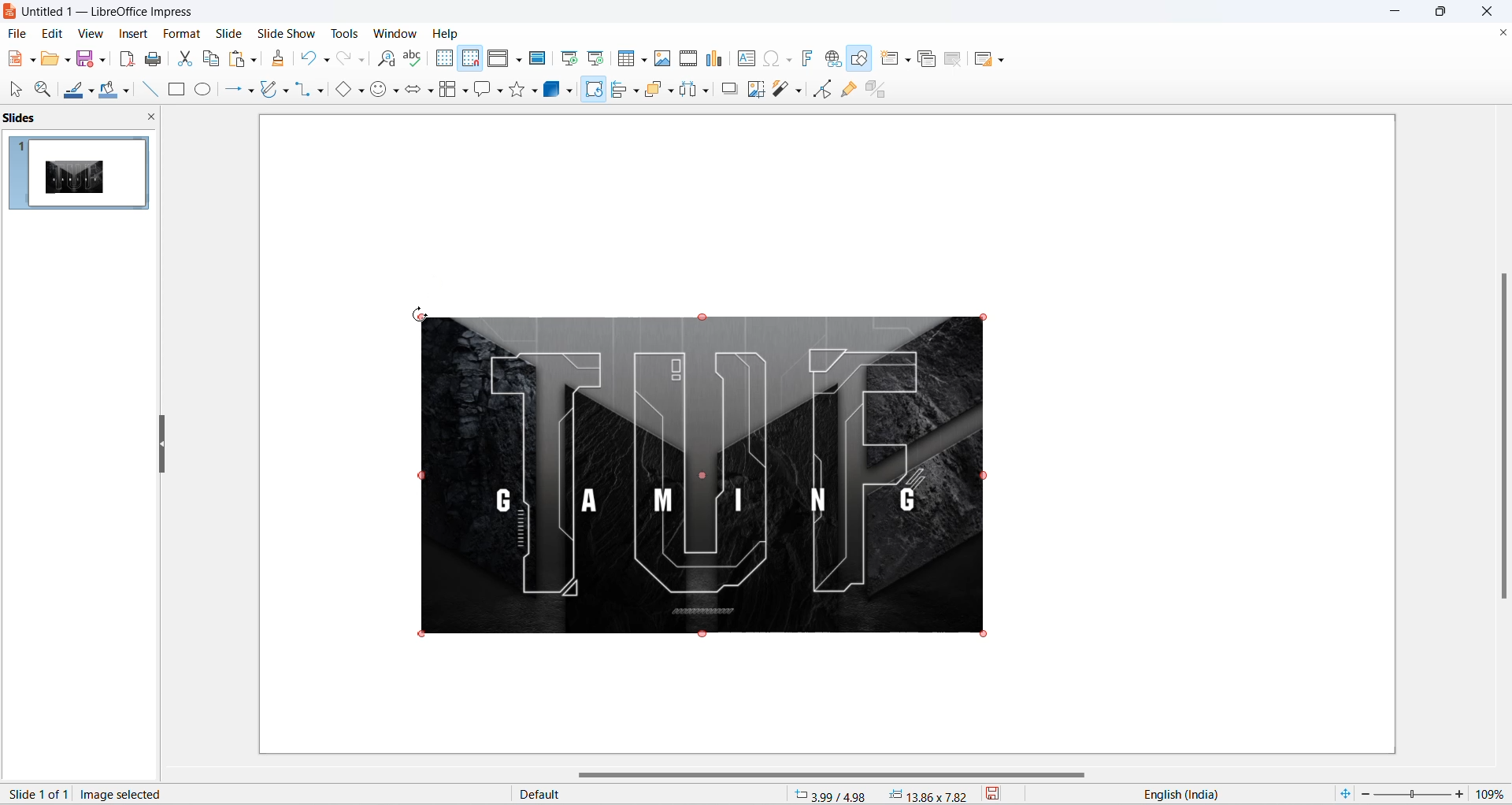 This screenshot has width=1512, height=805. What do you see at coordinates (481, 91) in the screenshot?
I see `callout shape` at bounding box center [481, 91].